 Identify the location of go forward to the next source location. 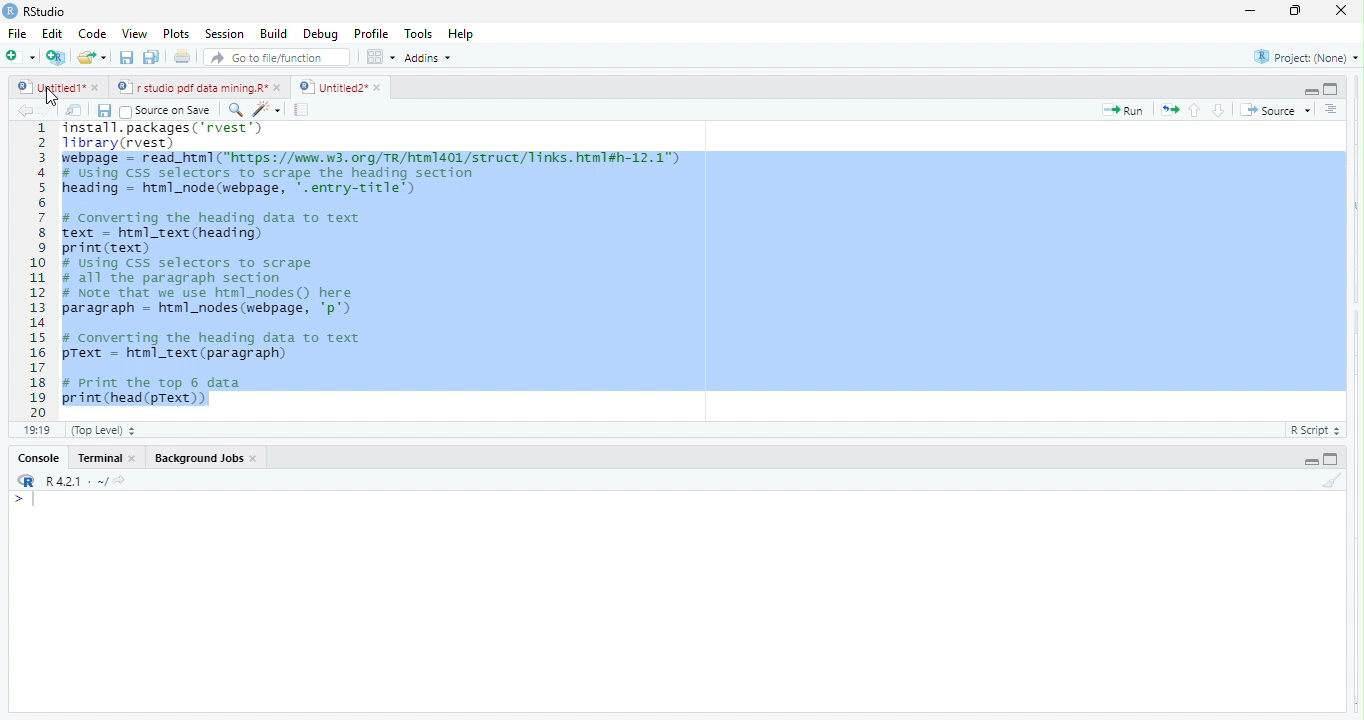
(48, 112).